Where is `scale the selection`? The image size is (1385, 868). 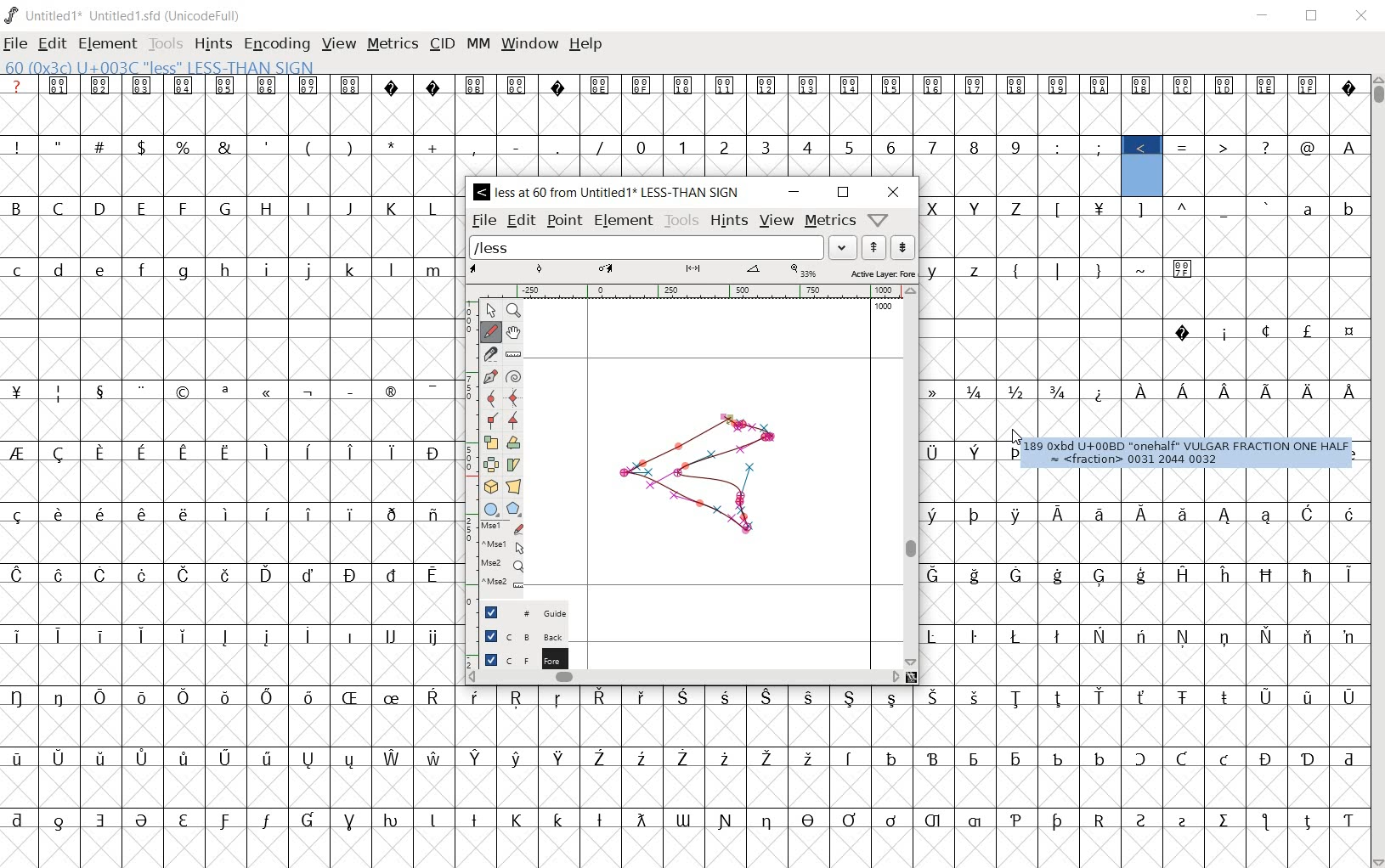
scale the selection is located at coordinates (490, 441).